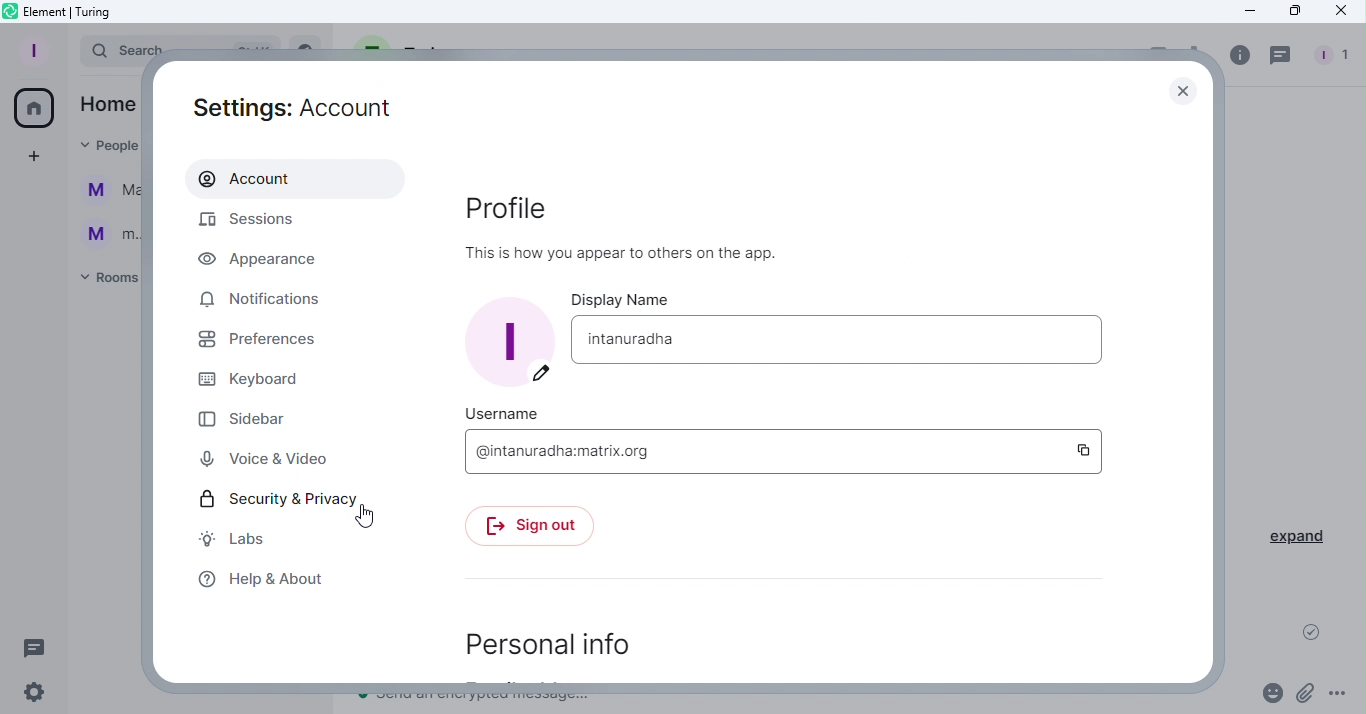 Image resolution: width=1366 pixels, height=714 pixels. Describe the element at coordinates (109, 52) in the screenshot. I see `Search` at that location.